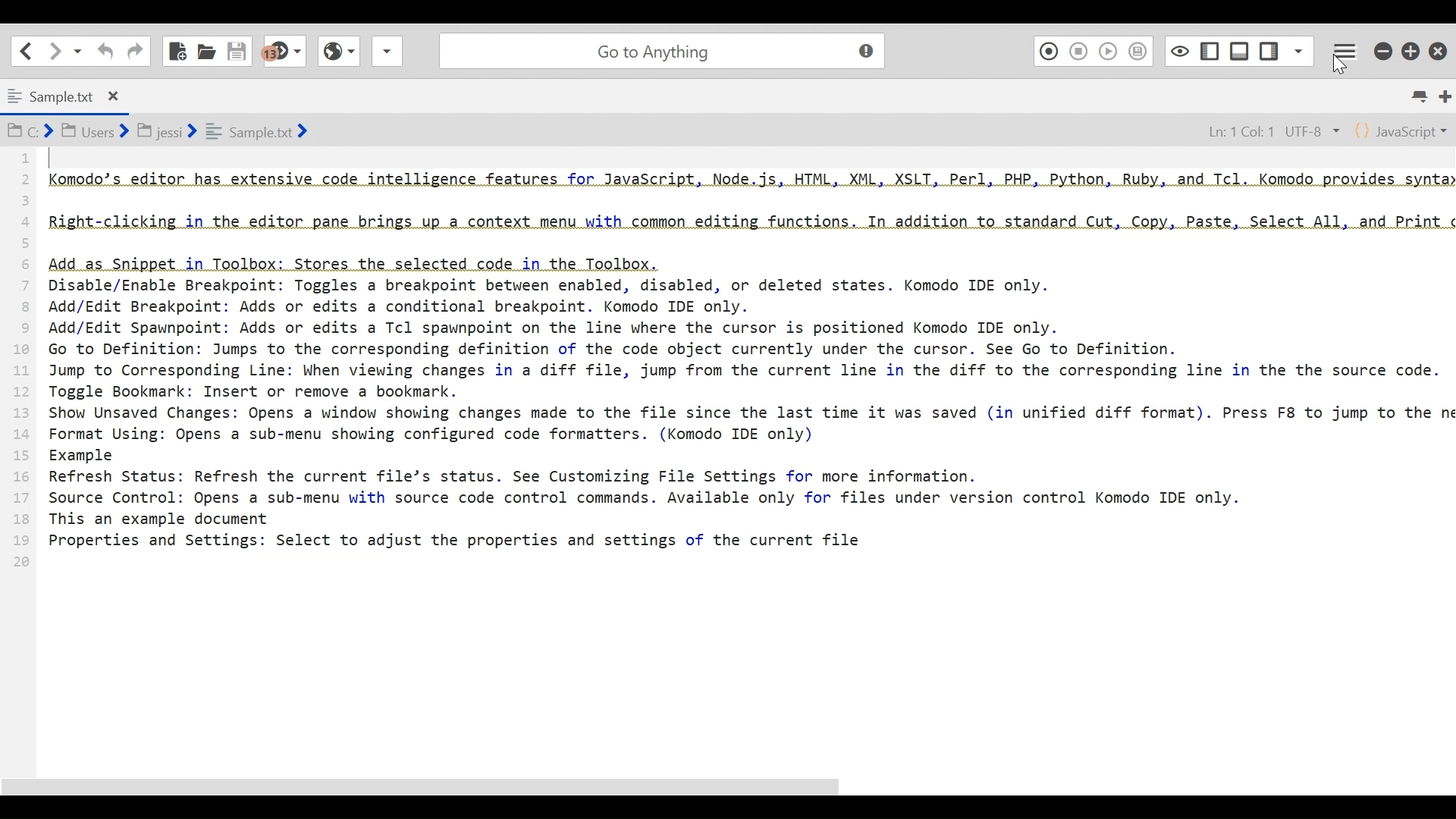  Describe the element at coordinates (1209, 49) in the screenshot. I see `Show/Hide Right Side Panel` at that location.